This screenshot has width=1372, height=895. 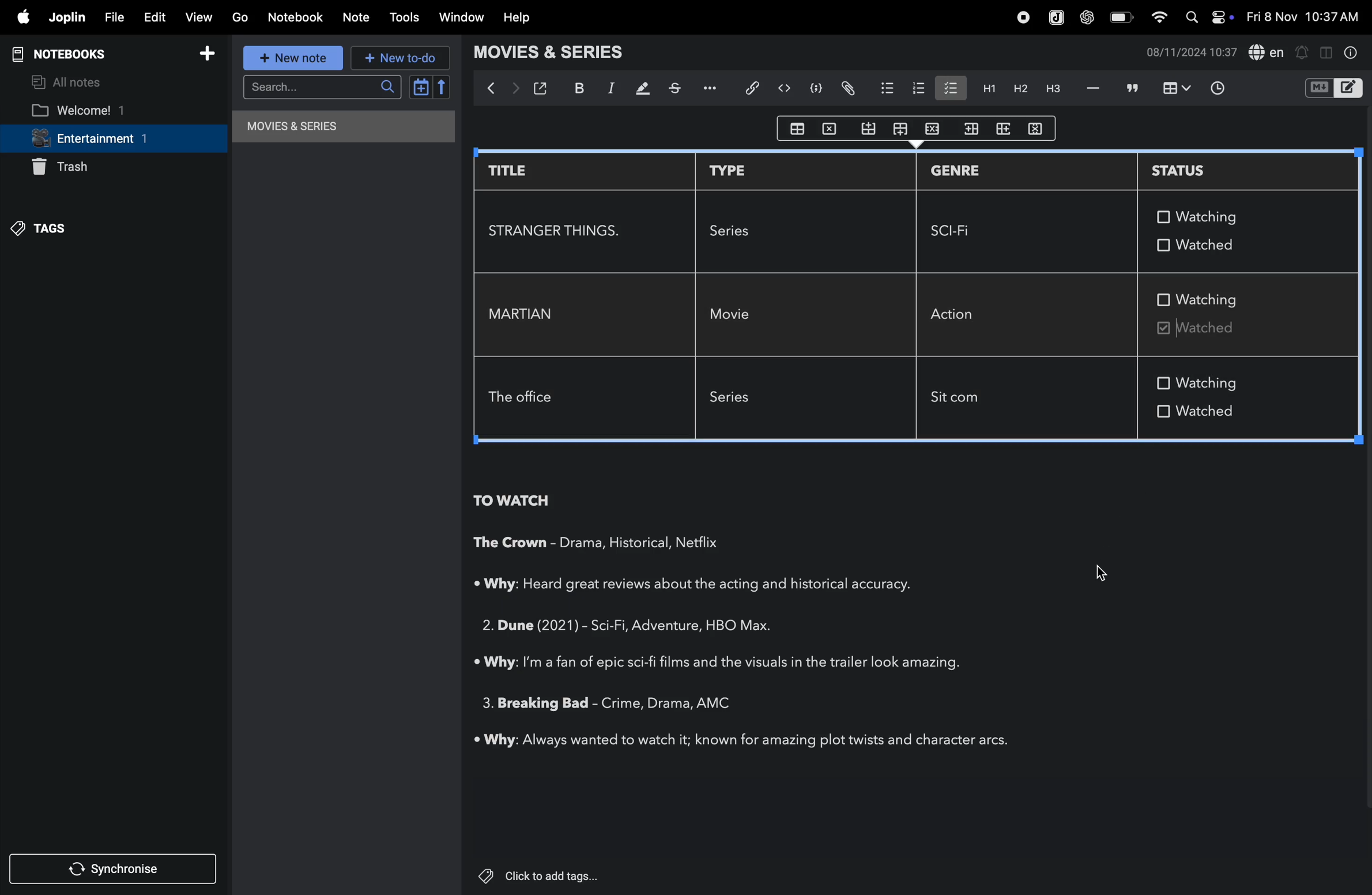 I want to click on reason to watch, so click(x=708, y=585).